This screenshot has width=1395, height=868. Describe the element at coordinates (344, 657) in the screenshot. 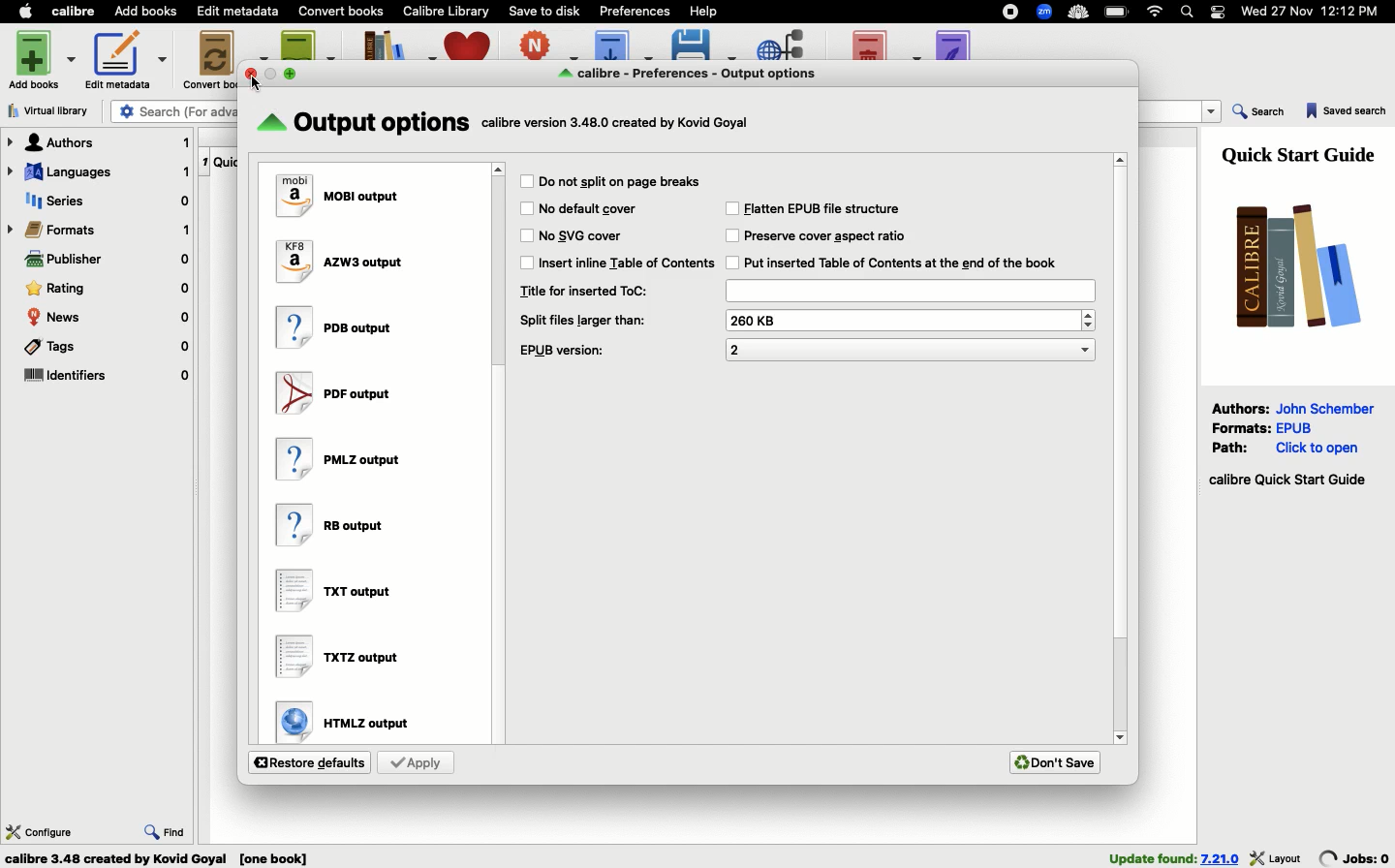

I see `TXTZ` at that location.